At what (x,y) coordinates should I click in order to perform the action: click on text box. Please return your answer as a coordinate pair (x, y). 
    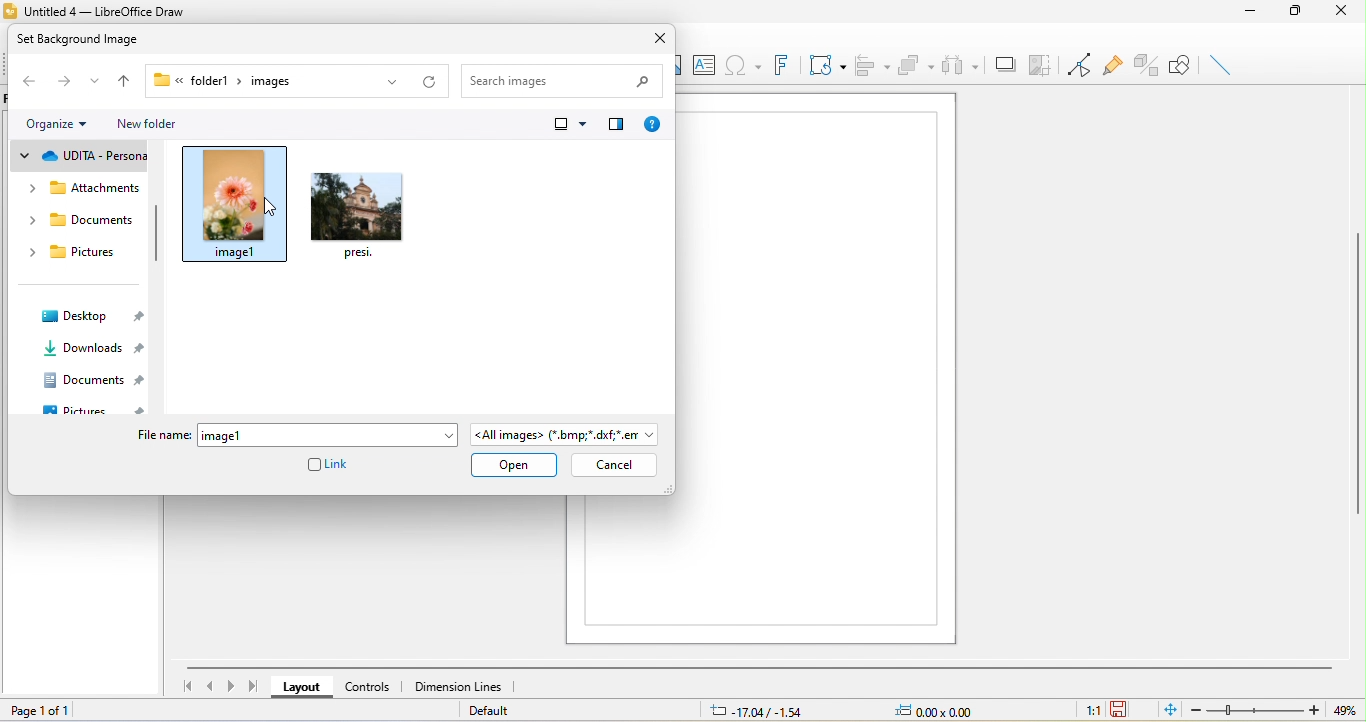
    Looking at the image, I should click on (704, 66).